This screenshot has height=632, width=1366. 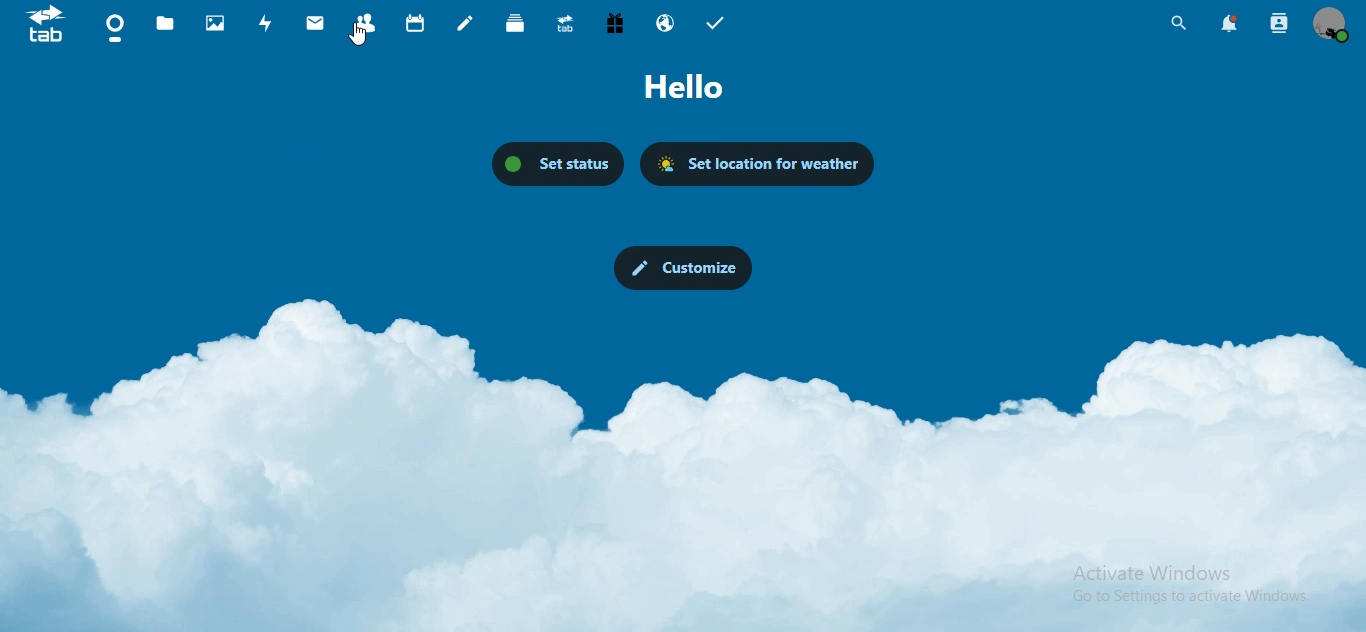 I want to click on set location for weather, so click(x=759, y=165).